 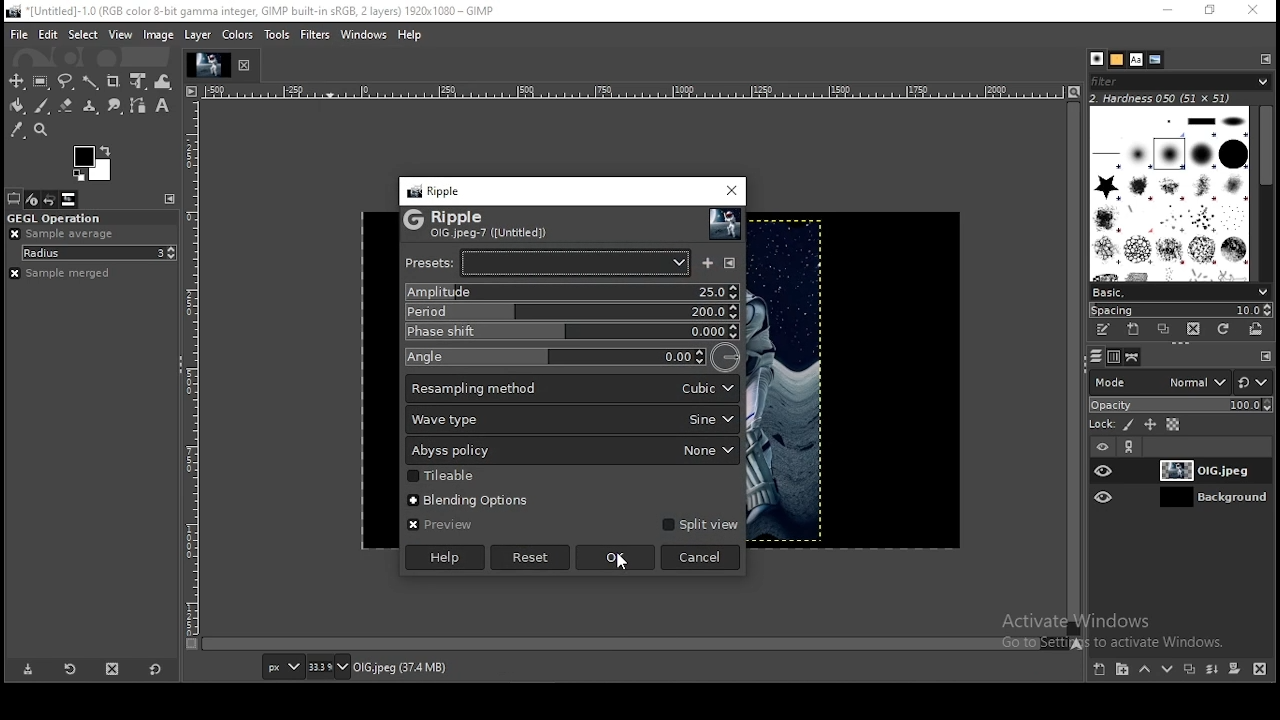 What do you see at coordinates (116, 107) in the screenshot?
I see `smudge tool` at bounding box center [116, 107].